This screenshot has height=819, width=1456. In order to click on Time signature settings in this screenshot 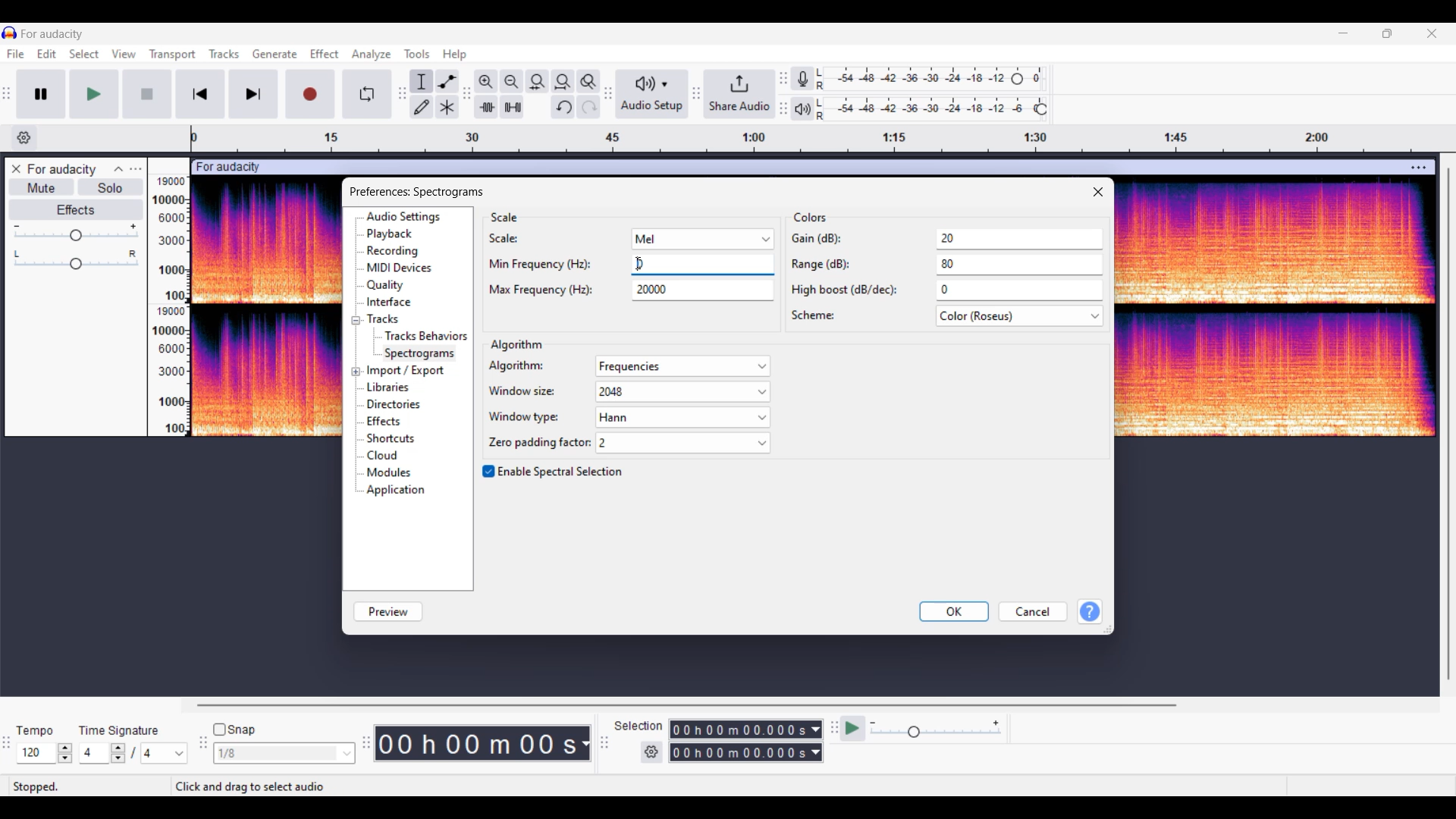, I will do `click(133, 753)`.